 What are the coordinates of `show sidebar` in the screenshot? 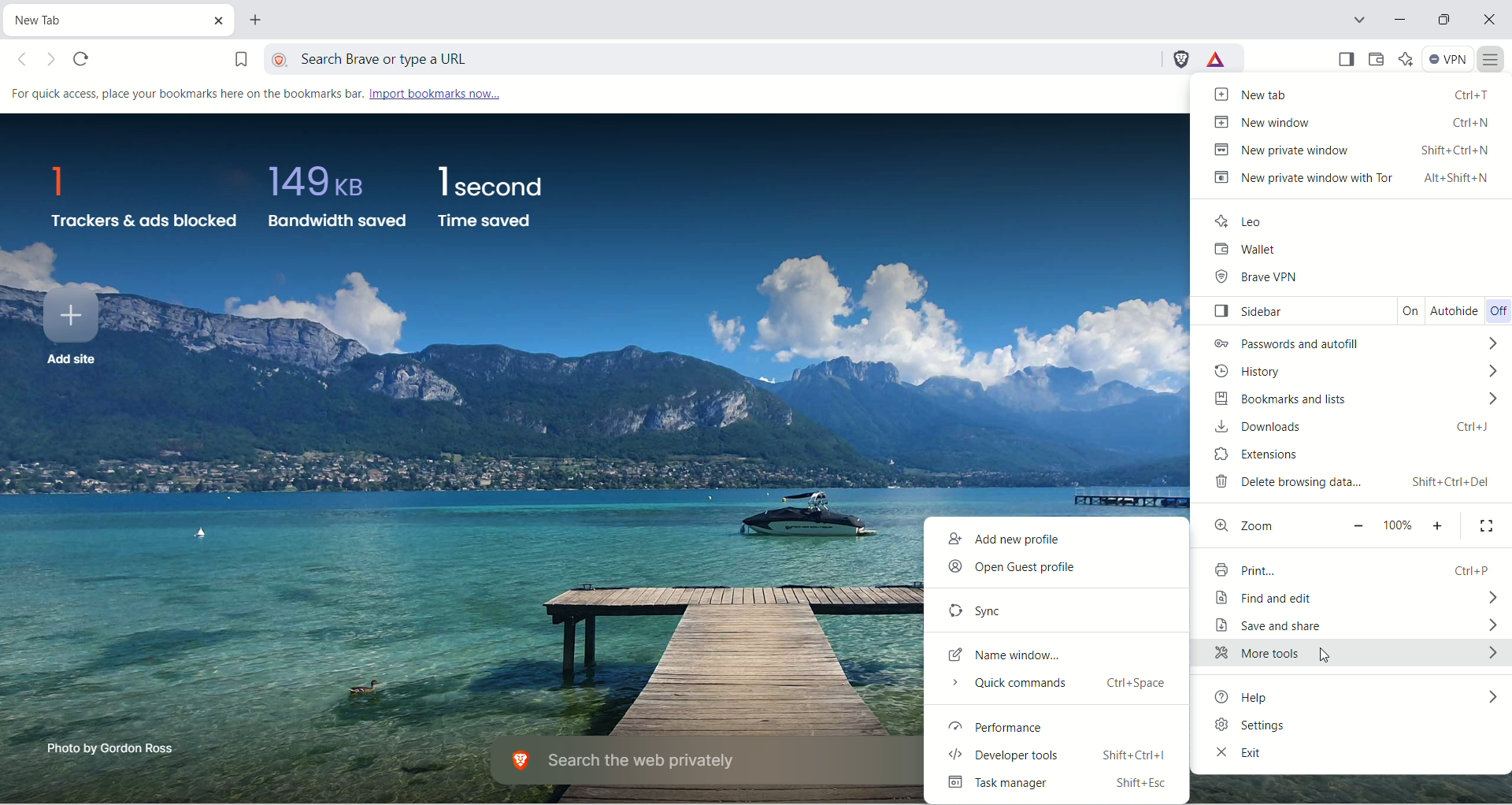 It's located at (1347, 58).